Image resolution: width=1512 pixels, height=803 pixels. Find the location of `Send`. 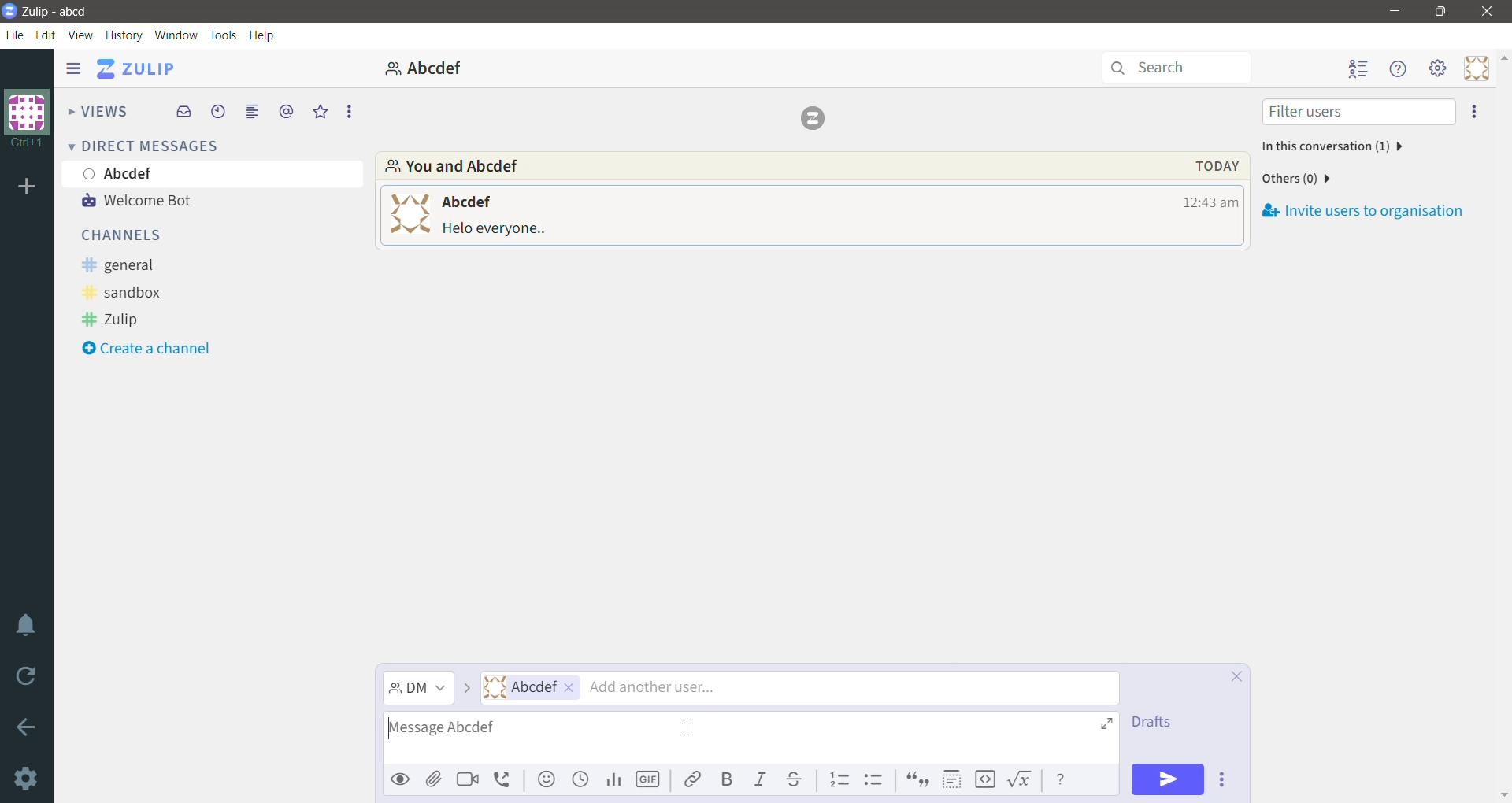

Send is located at coordinates (1168, 779).